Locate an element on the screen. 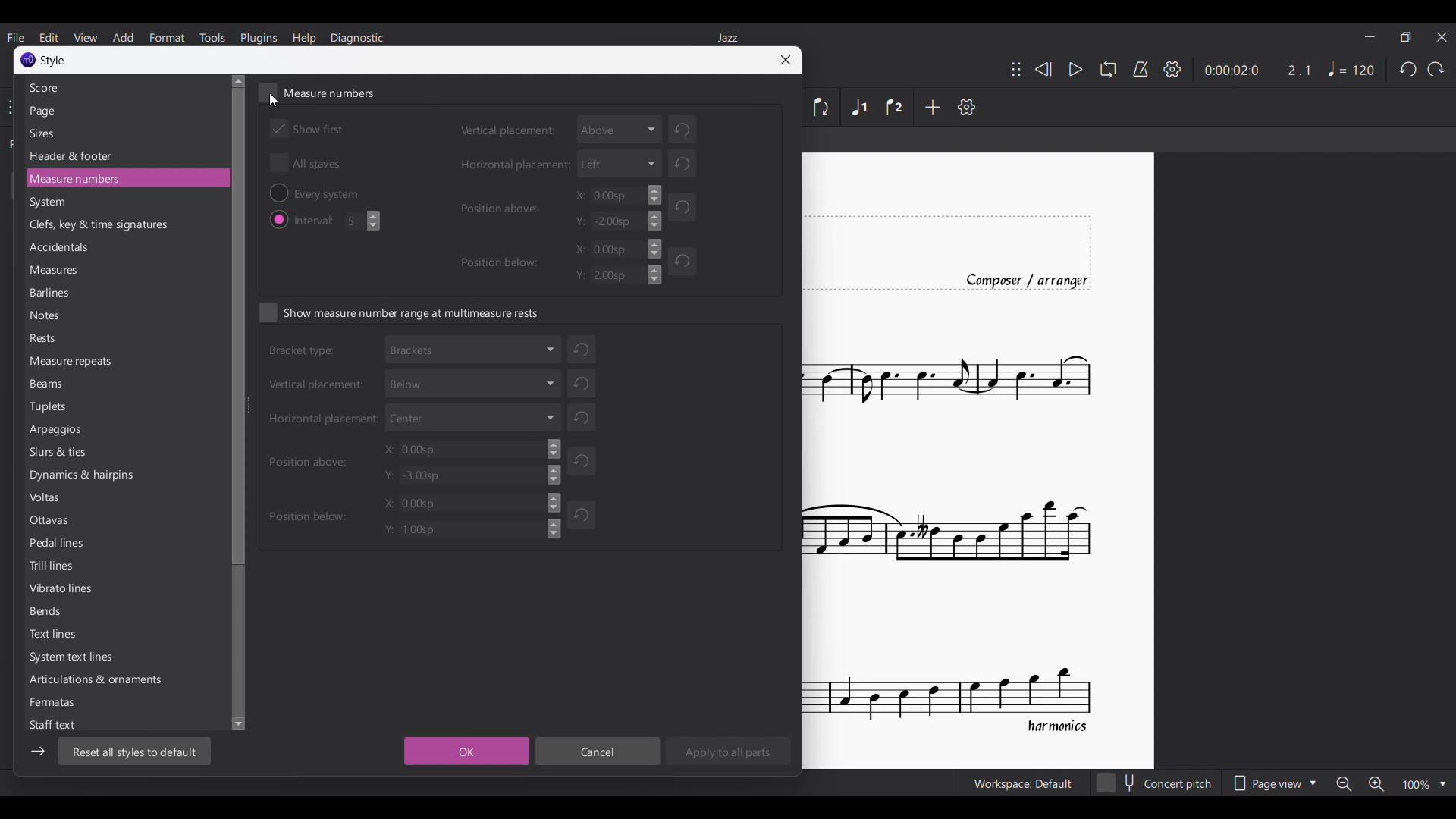 The height and width of the screenshot is (819, 1456). Undo changes made to each is located at coordinates (582, 346).